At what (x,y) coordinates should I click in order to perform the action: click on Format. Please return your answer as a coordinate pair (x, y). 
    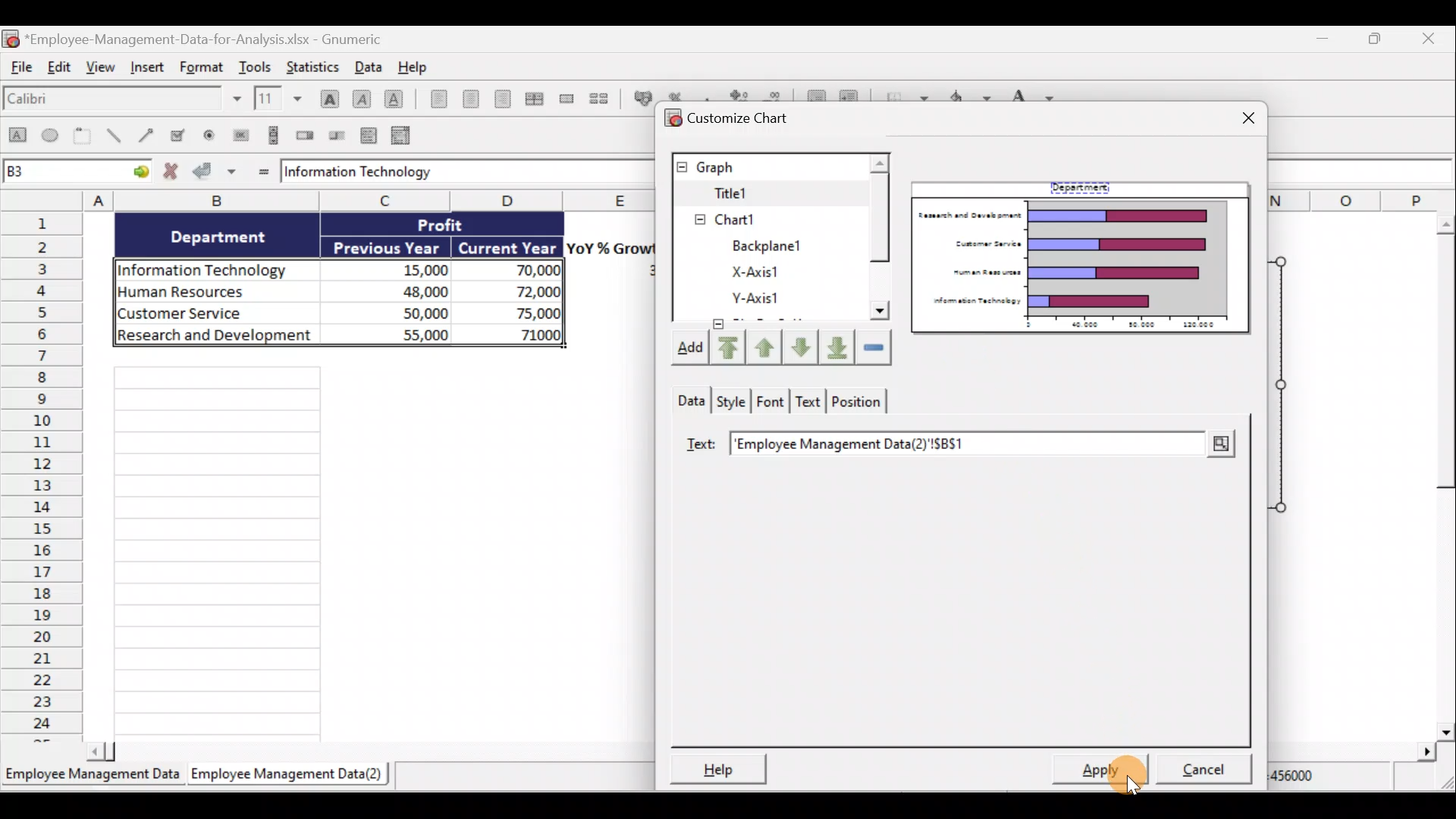
    Looking at the image, I should click on (199, 68).